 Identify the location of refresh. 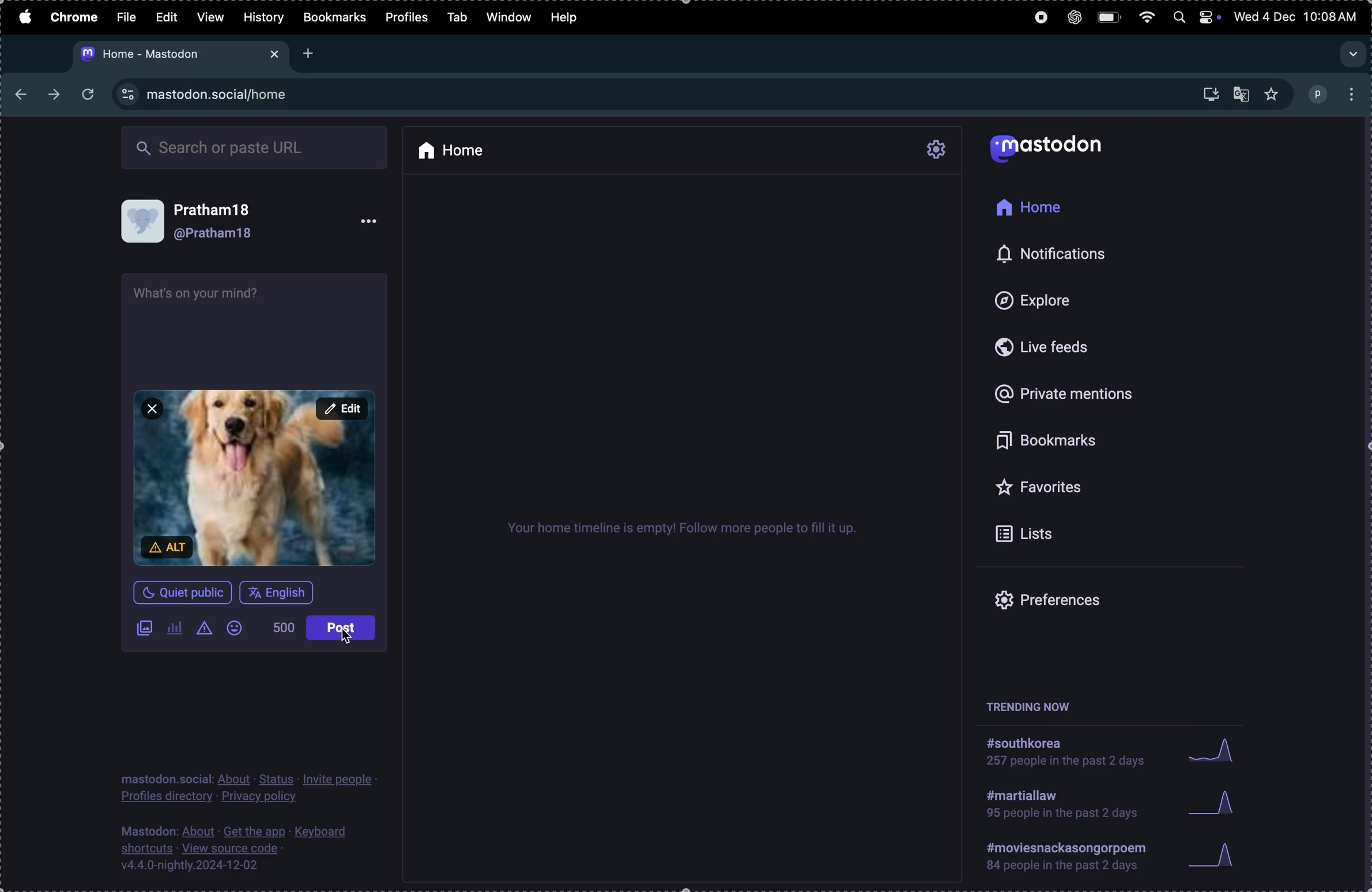
(84, 95).